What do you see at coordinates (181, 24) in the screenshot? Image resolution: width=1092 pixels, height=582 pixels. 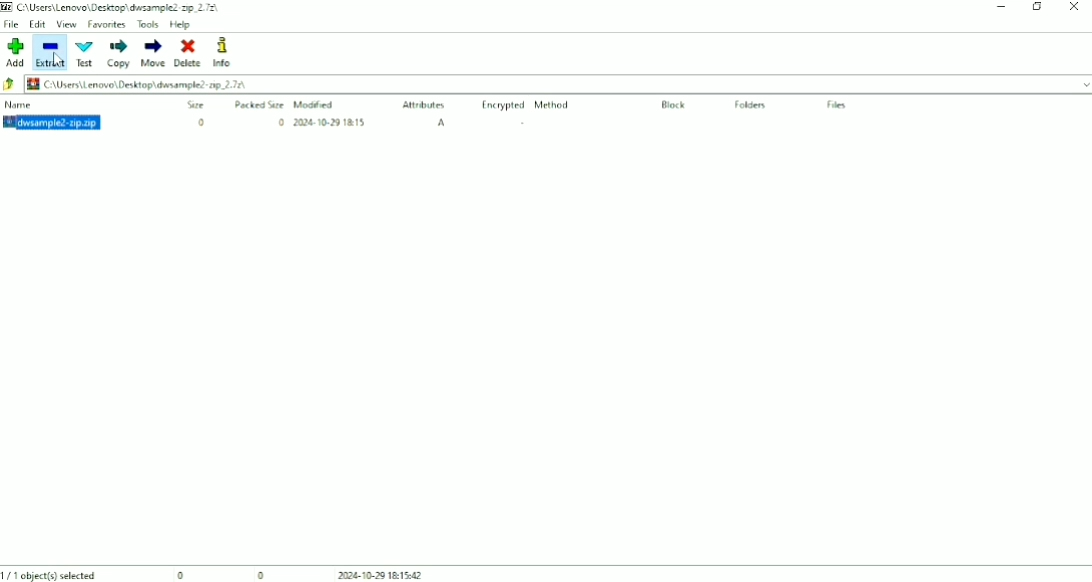 I see `Help` at bounding box center [181, 24].